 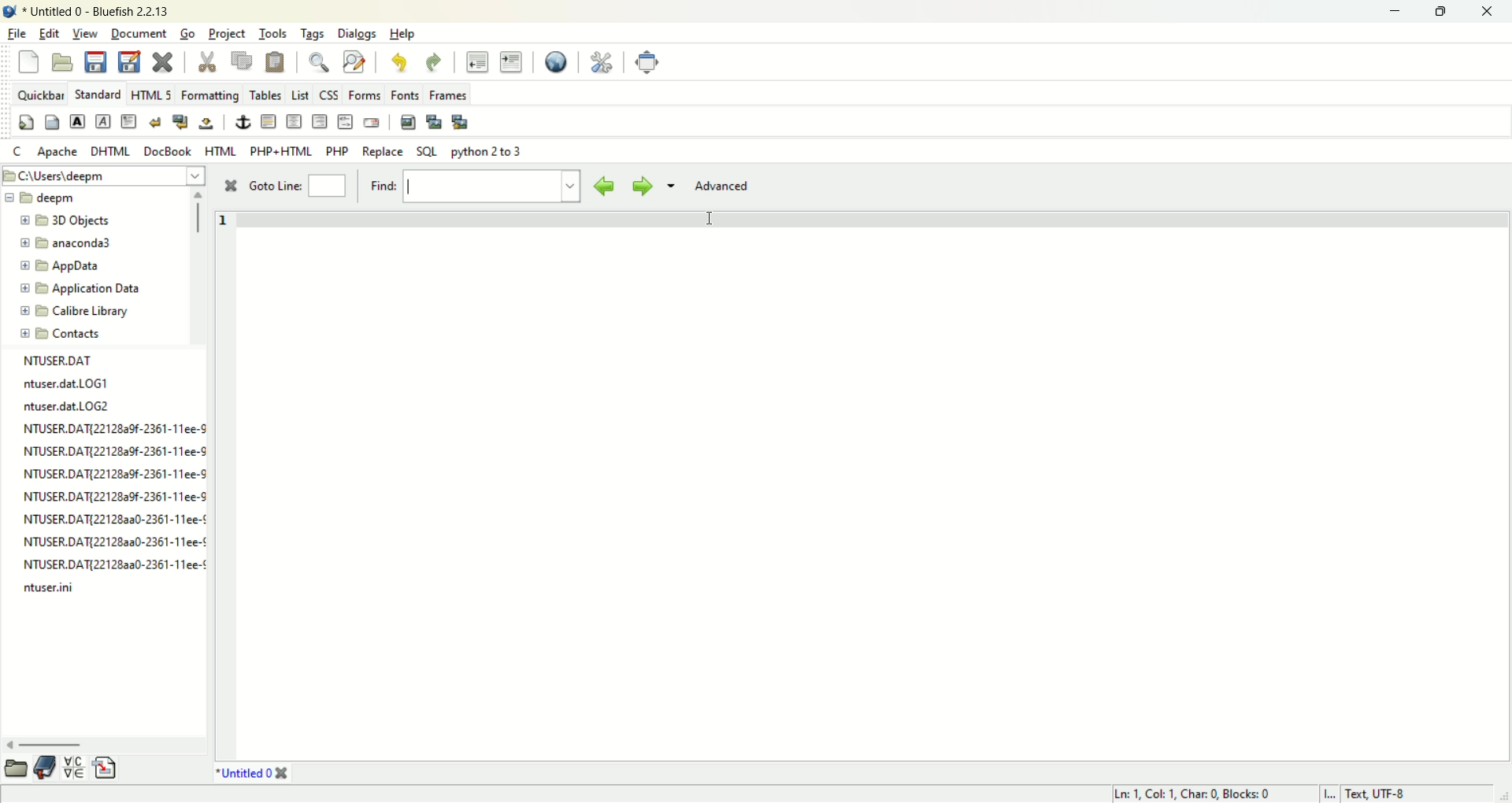 What do you see at coordinates (476, 61) in the screenshot?
I see `unindent` at bounding box center [476, 61].